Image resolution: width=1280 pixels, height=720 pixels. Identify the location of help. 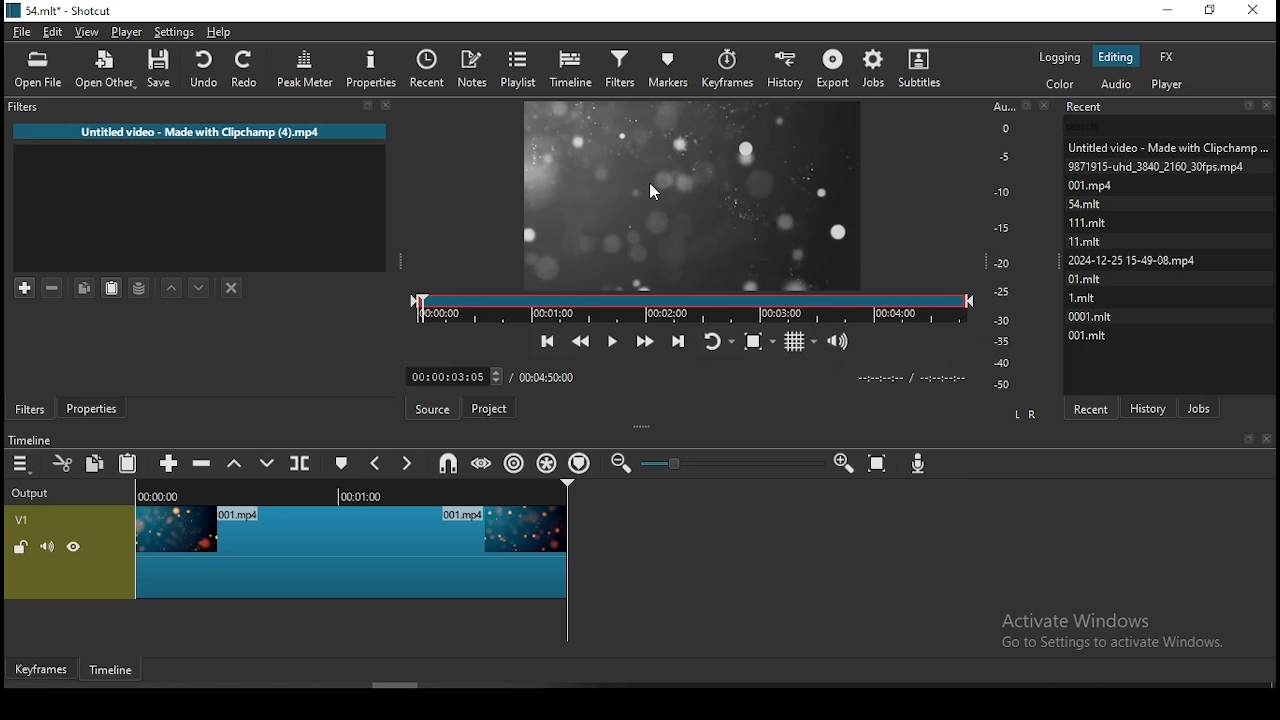
(218, 32).